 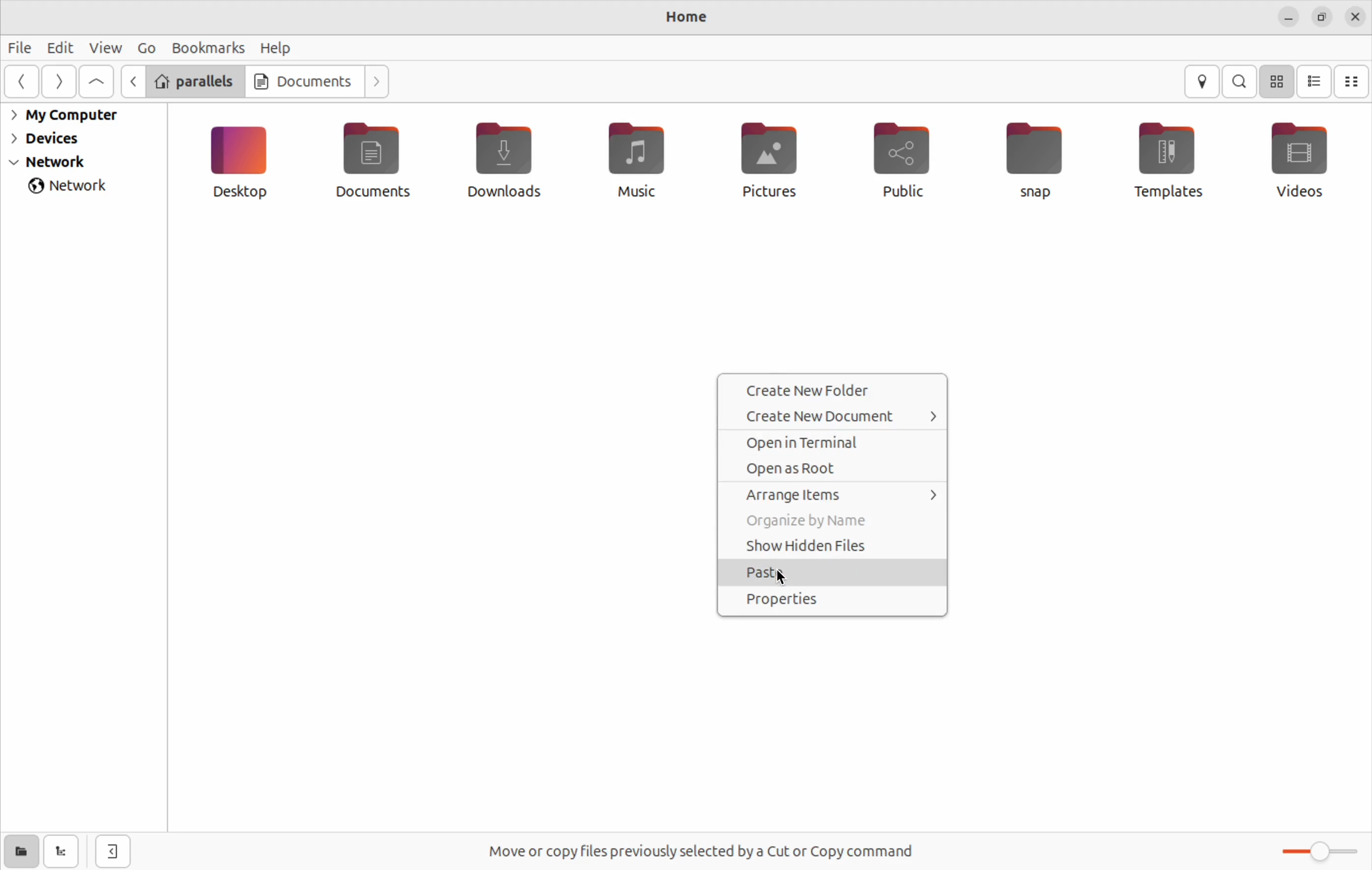 I want to click on open terminal, so click(x=836, y=443).